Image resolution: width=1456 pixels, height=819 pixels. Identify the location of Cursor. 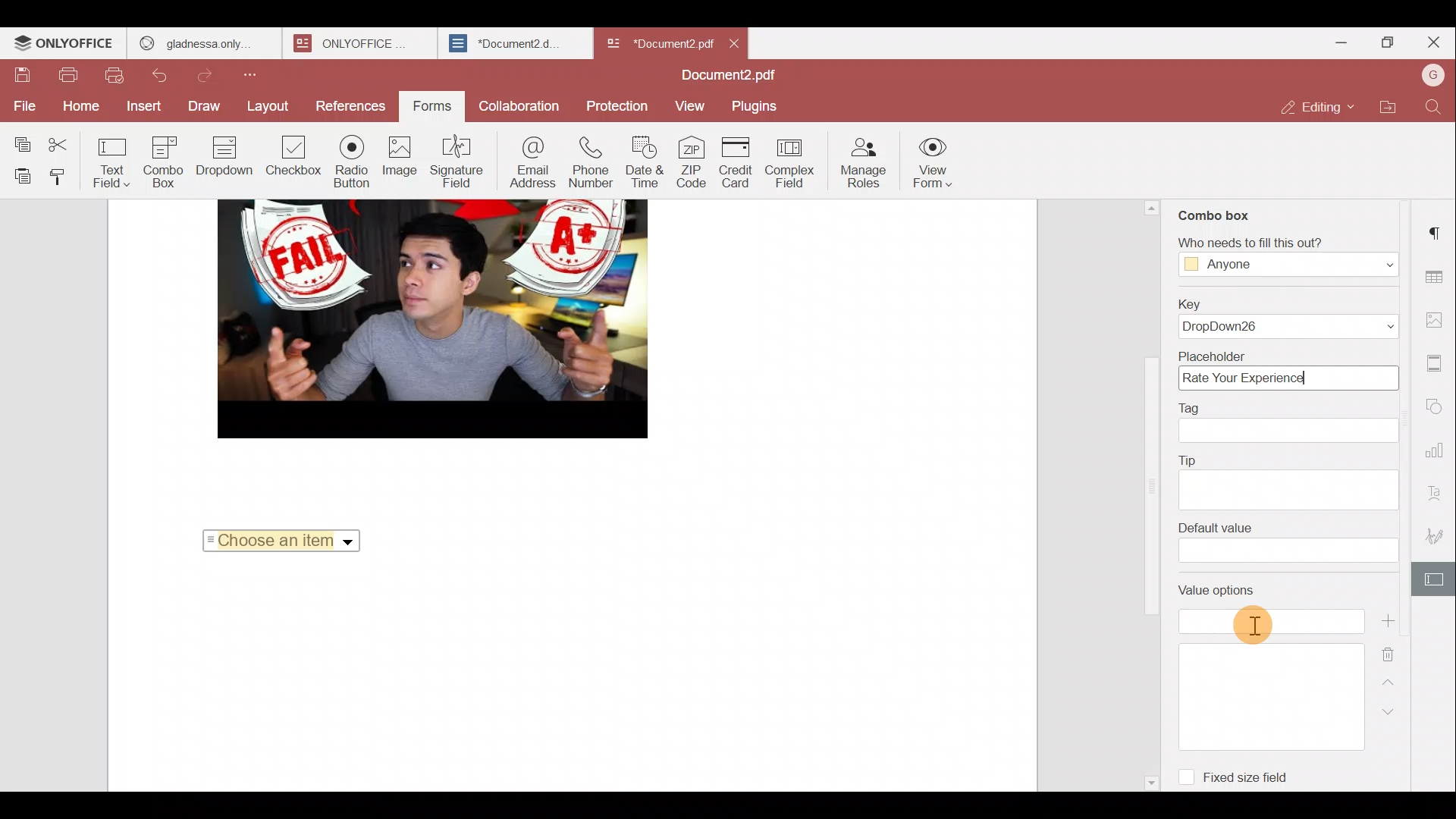
(1262, 623).